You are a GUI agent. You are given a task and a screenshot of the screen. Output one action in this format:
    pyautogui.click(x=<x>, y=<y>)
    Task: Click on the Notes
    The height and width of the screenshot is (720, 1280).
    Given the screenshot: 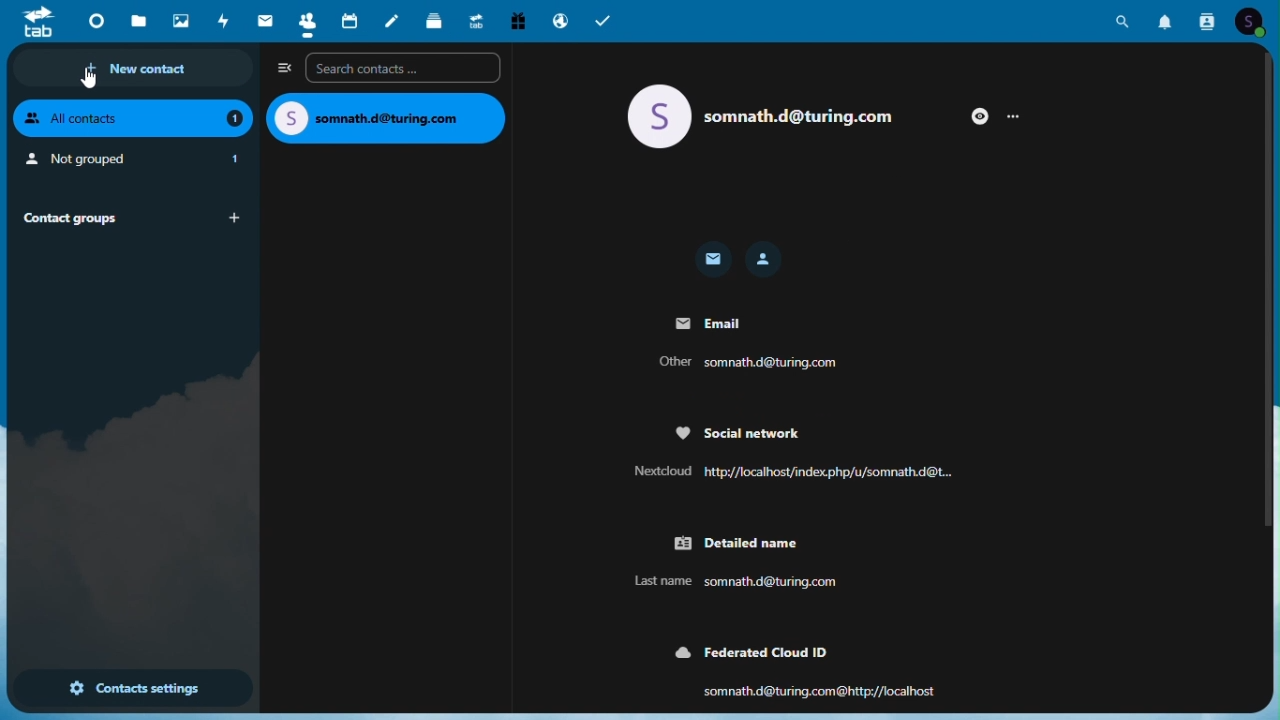 What is the action you would take?
    pyautogui.click(x=395, y=23)
    